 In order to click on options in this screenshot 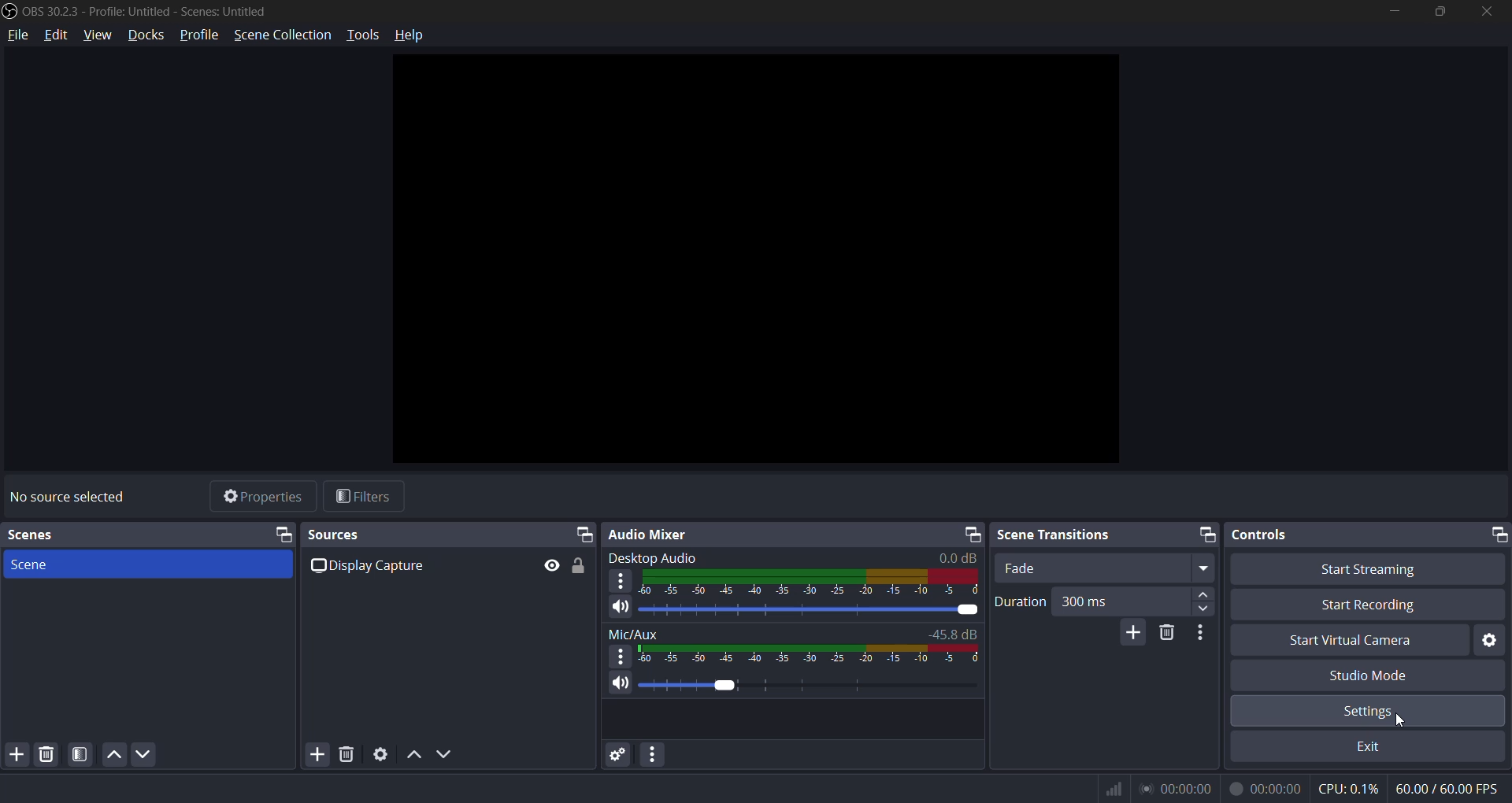, I will do `click(622, 581)`.